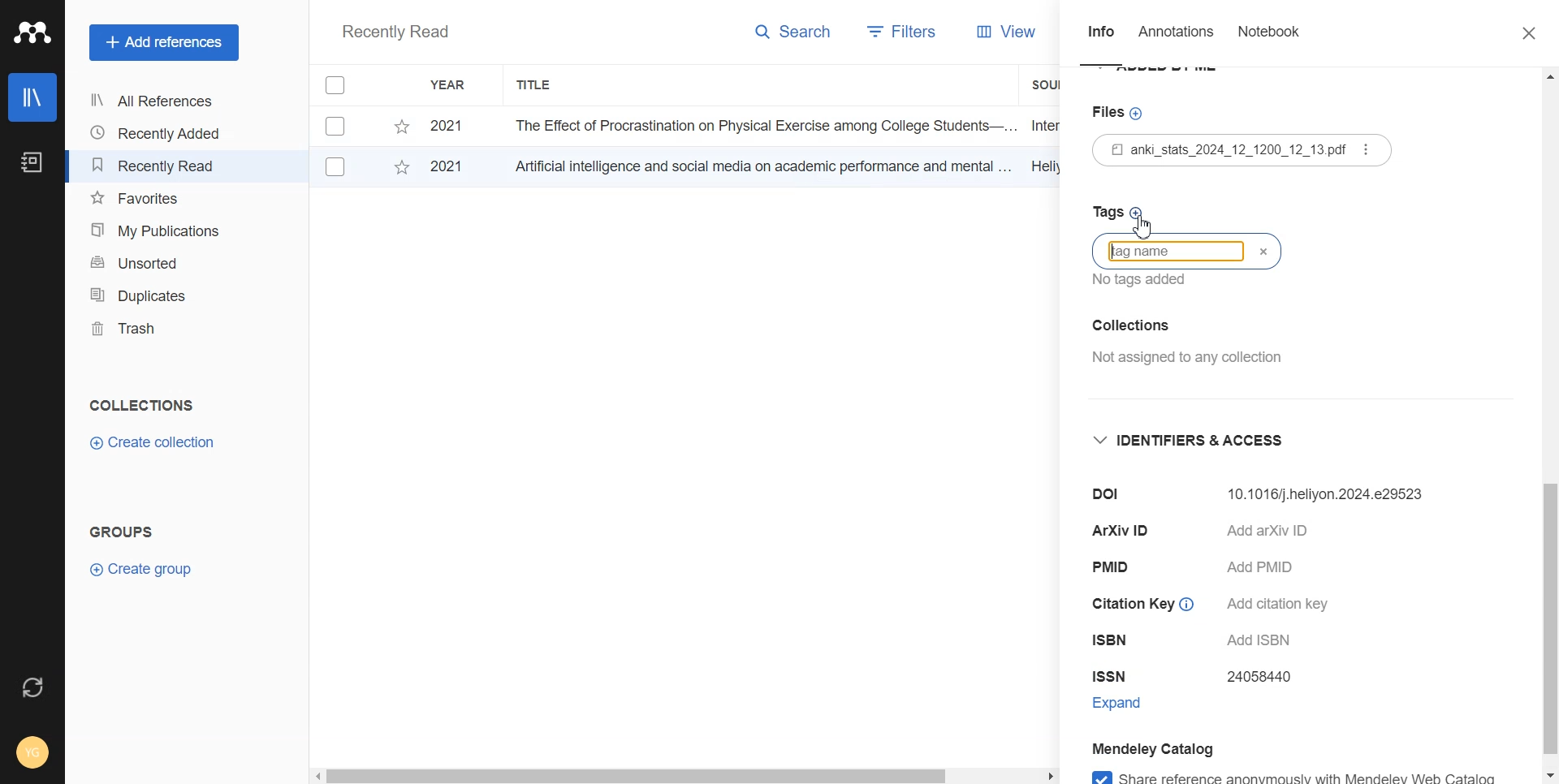 The height and width of the screenshot is (784, 1559). I want to click on The Effect of Procrastination on Physical Exercise among College Students—..., so click(759, 125).